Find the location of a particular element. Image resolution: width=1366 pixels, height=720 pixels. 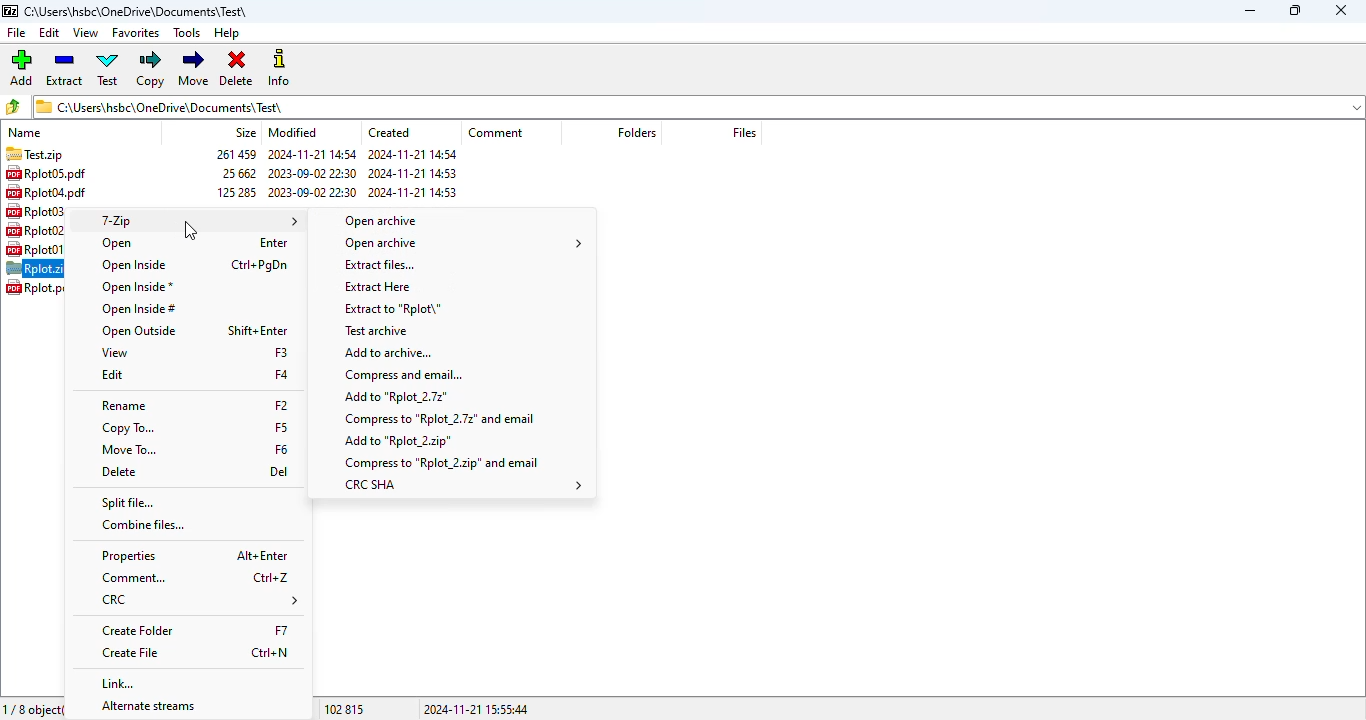

shortcut for rename is located at coordinates (281, 403).